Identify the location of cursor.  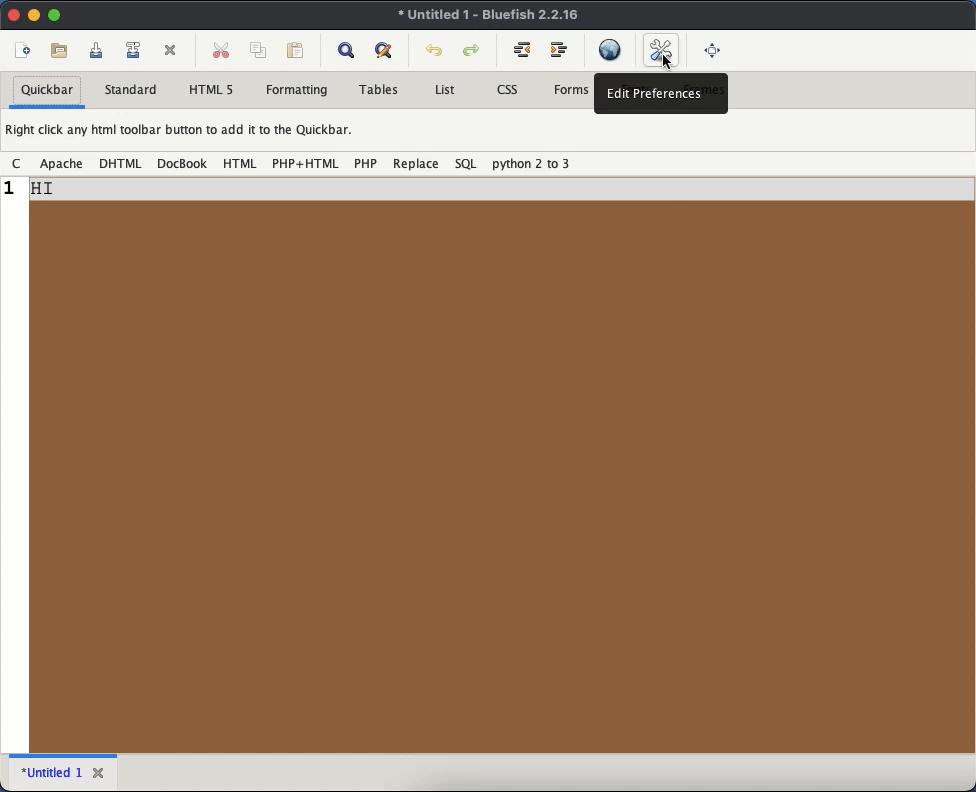
(666, 60).